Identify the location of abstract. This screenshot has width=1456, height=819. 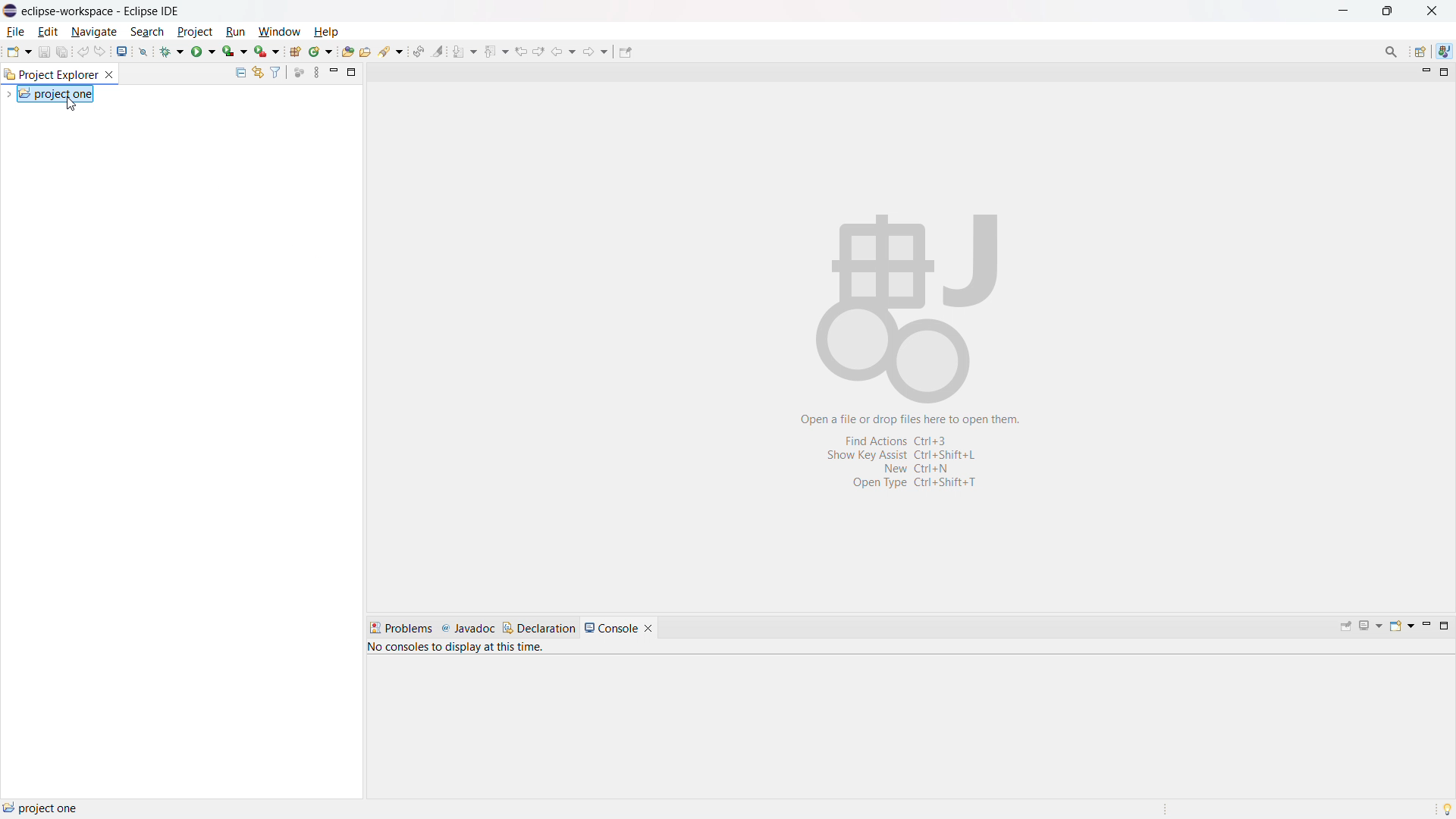
(910, 298).